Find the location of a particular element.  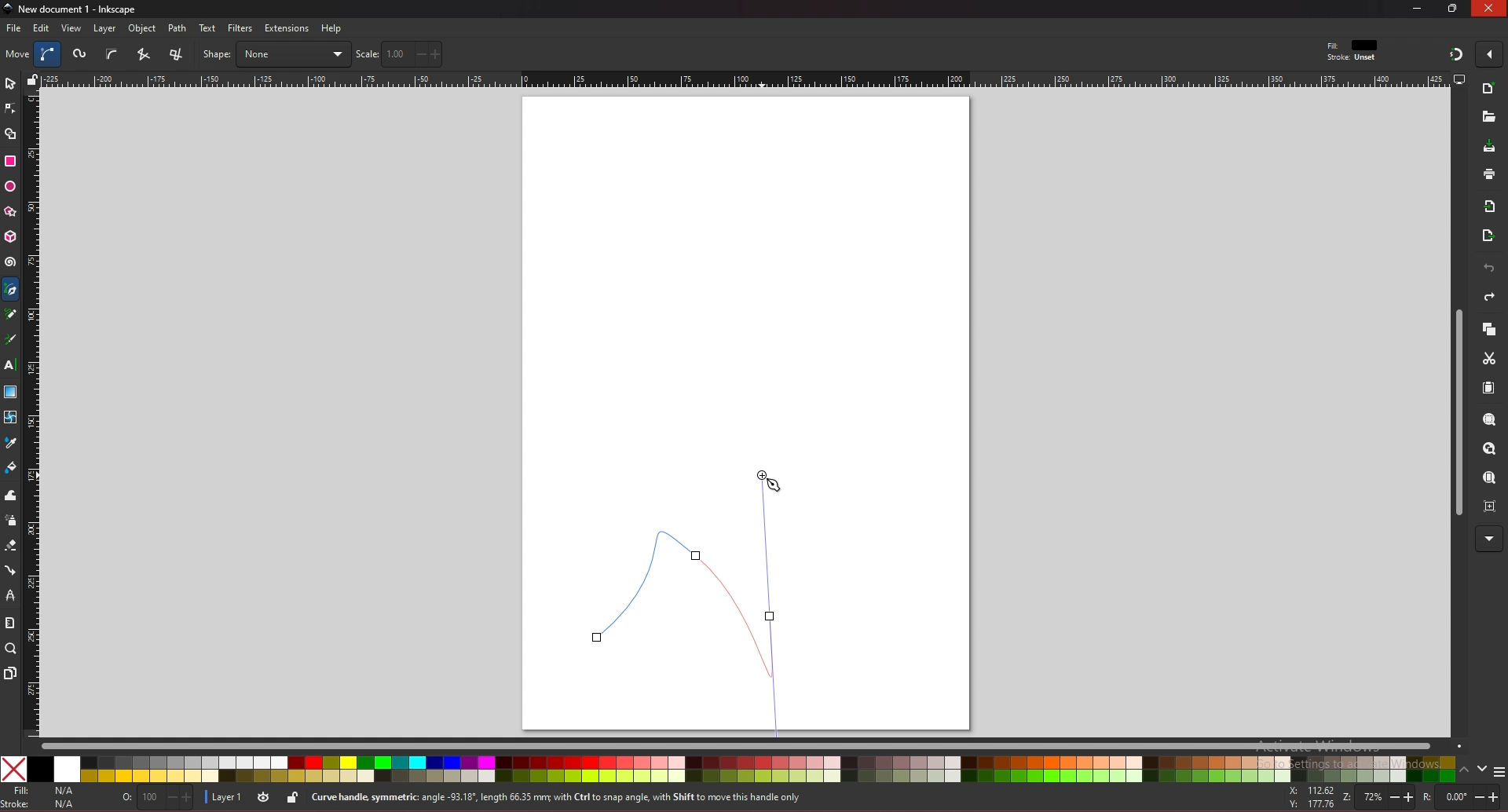

snapping is located at coordinates (1456, 53).